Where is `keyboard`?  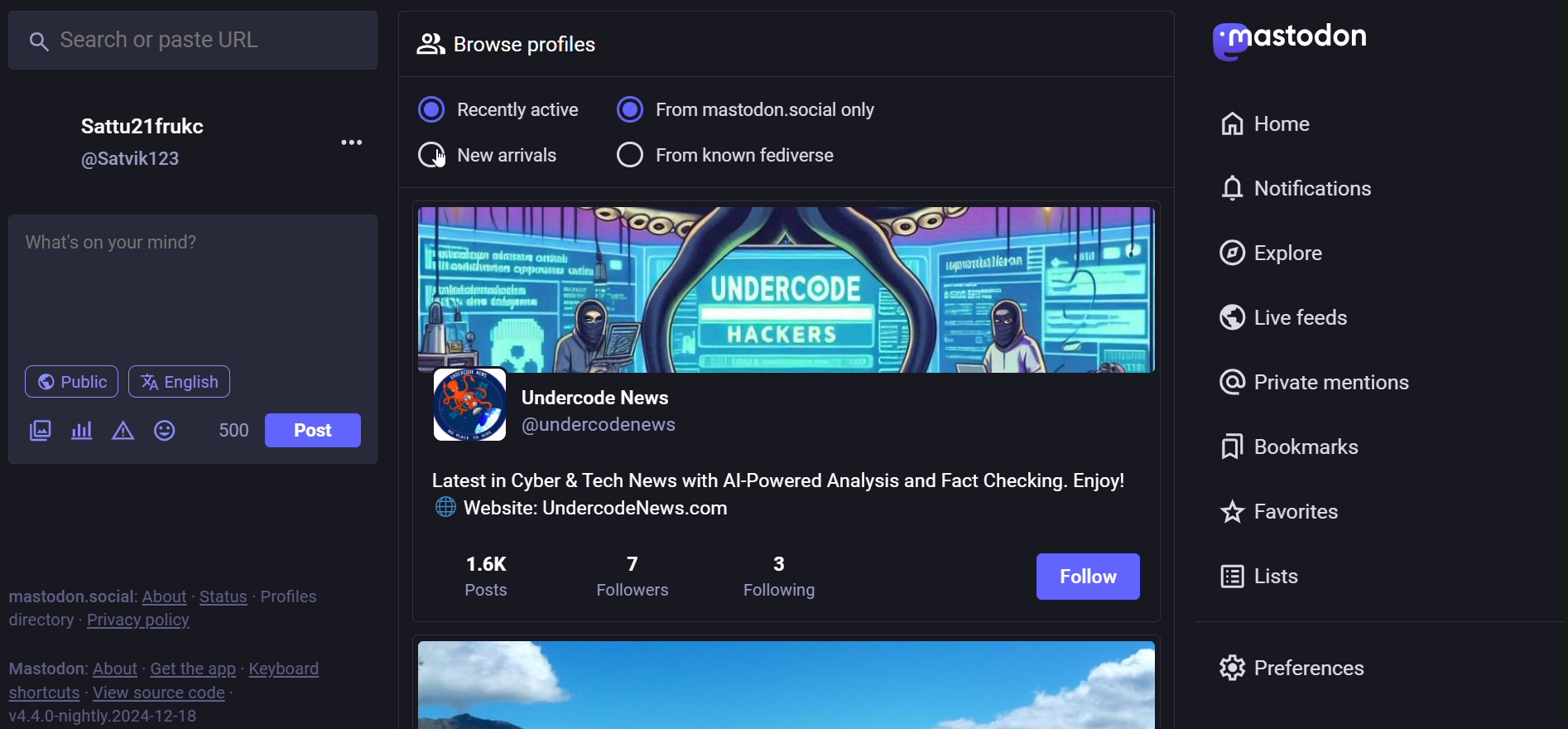
keyboard is located at coordinates (289, 669).